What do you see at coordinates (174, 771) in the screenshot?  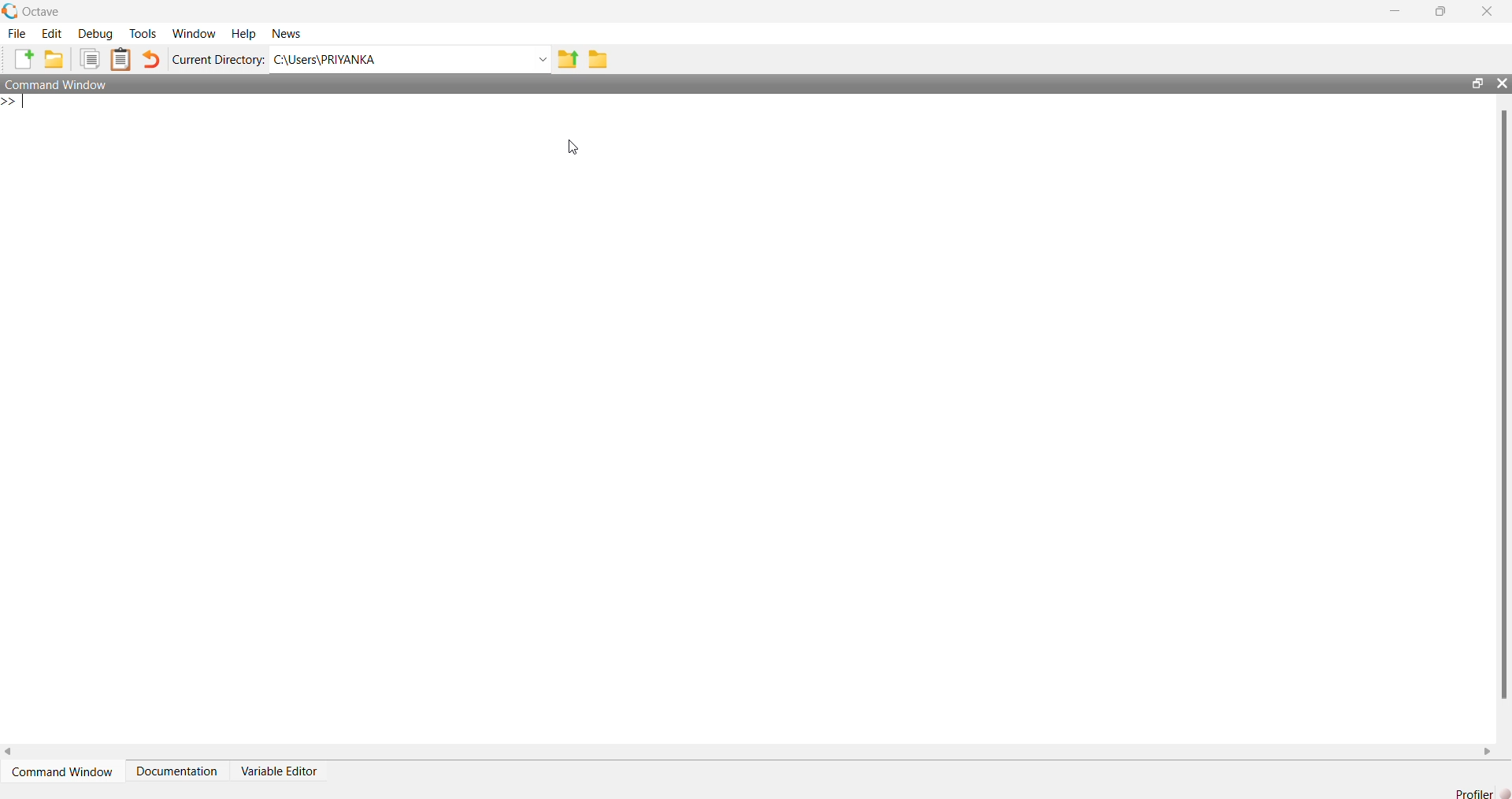 I see `Documentation` at bounding box center [174, 771].